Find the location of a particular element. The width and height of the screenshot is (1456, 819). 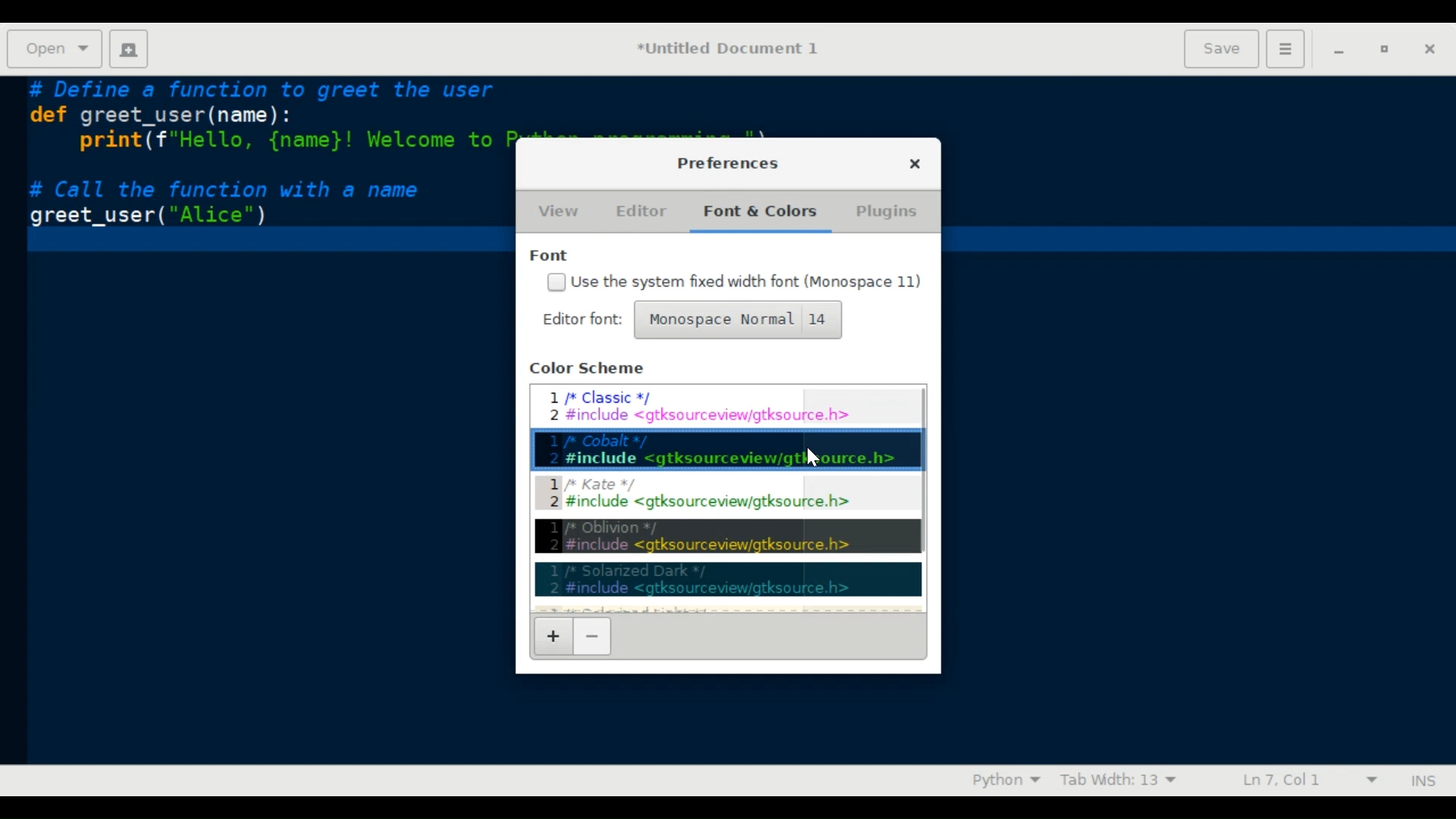

Font  is located at coordinates (554, 254).